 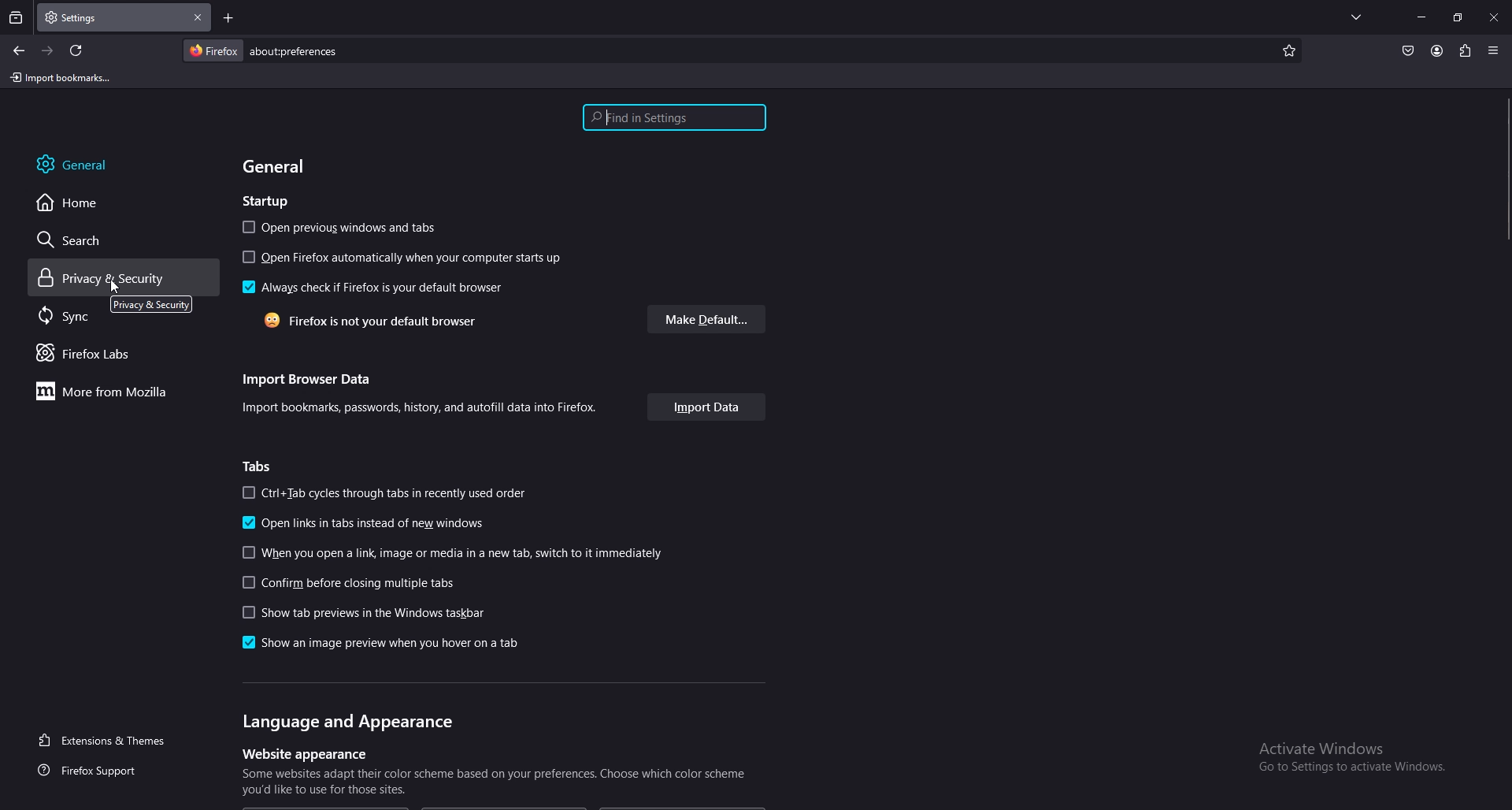 What do you see at coordinates (499, 773) in the screenshot?
I see `website appearance` at bounding box center [499, 773].